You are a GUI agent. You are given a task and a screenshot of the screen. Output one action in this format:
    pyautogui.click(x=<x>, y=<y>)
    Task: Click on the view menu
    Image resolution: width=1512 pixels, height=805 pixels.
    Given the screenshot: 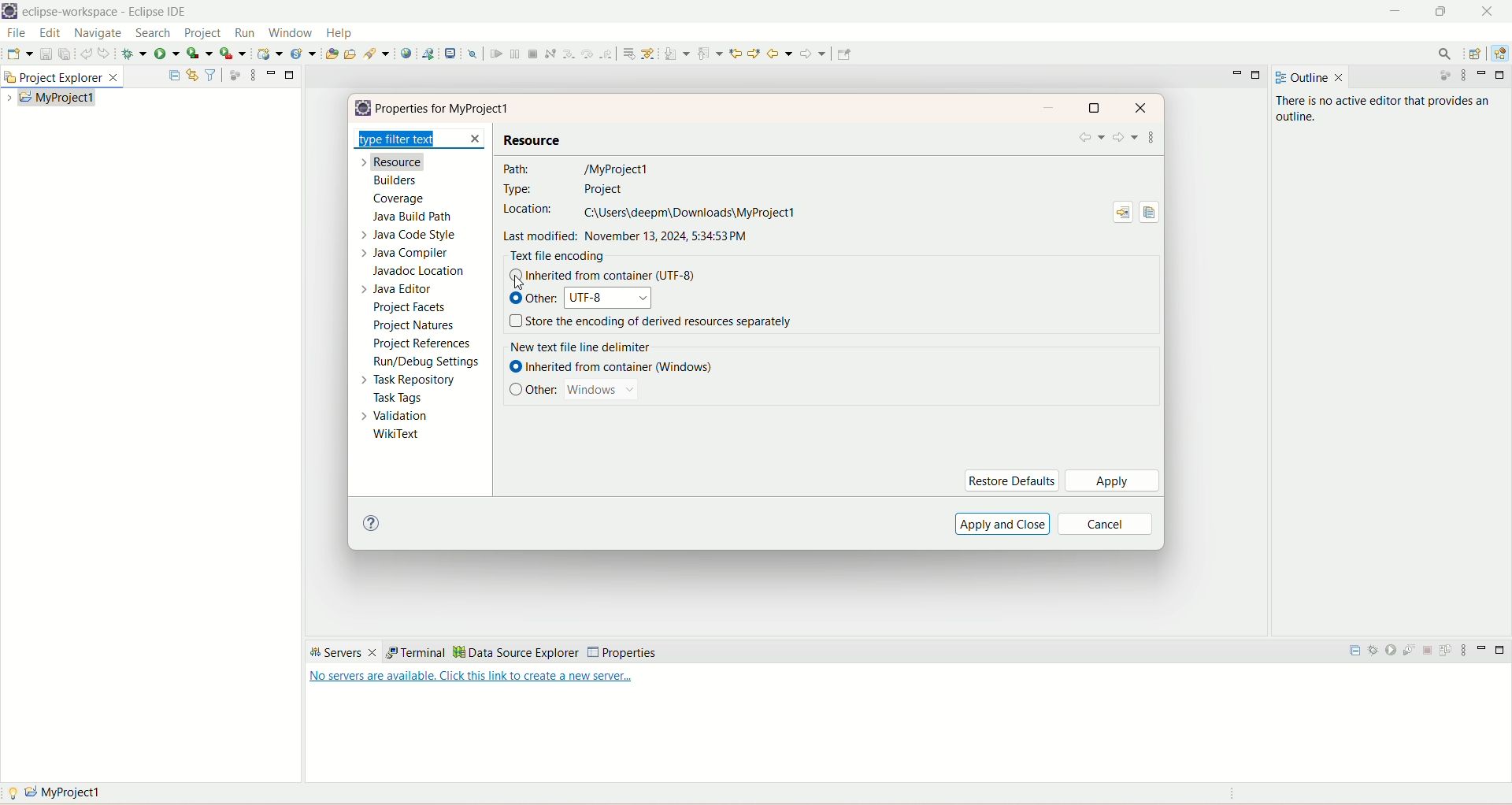 What is the action you would take?
    pyautogui.click(x=1467, y=651)
    